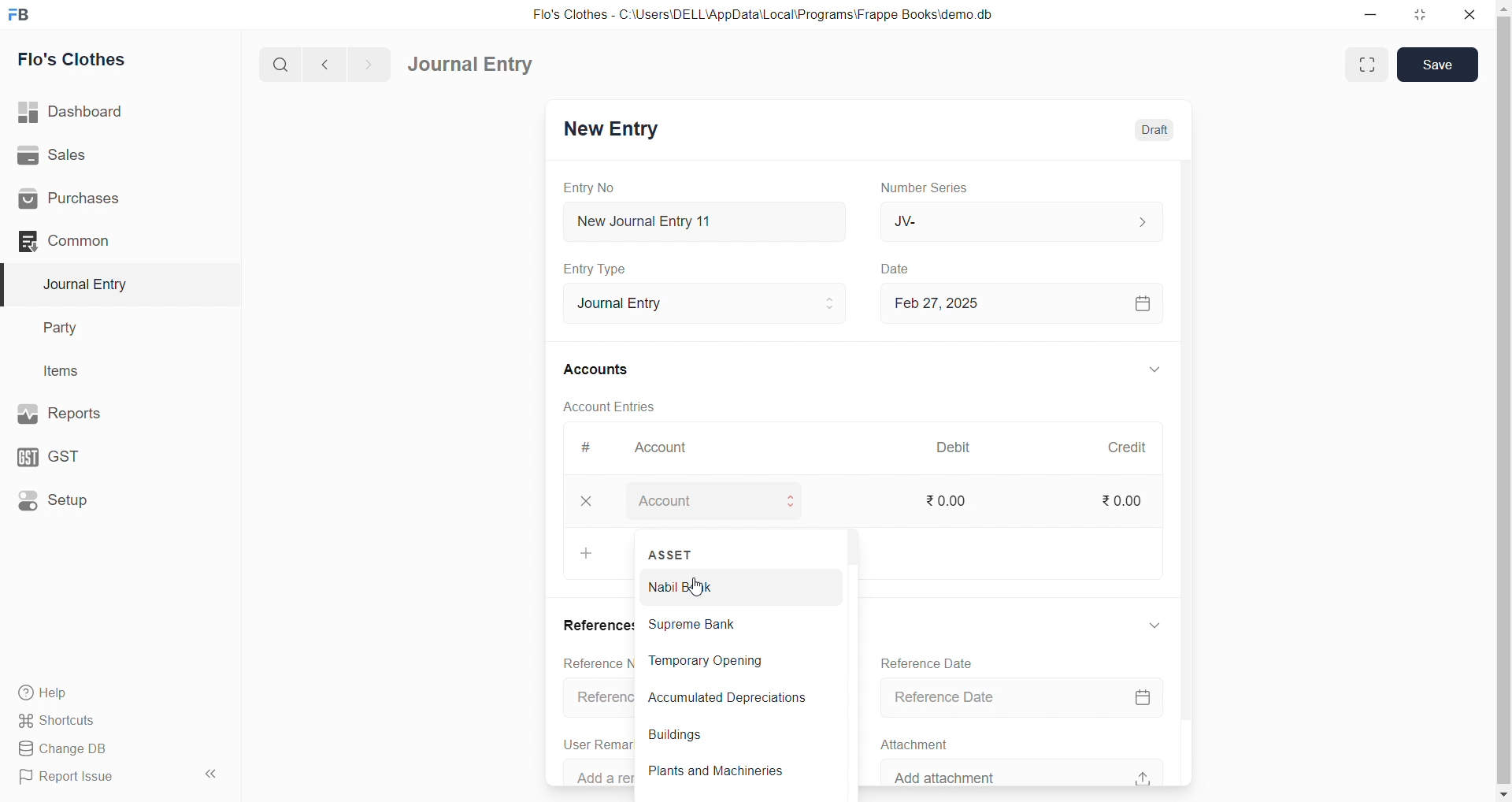 The image size is (1512, 802). What do you see at coordinates (951, 503) in the screenshot?
I see `₹0.00` at bounding box center [951, 503].